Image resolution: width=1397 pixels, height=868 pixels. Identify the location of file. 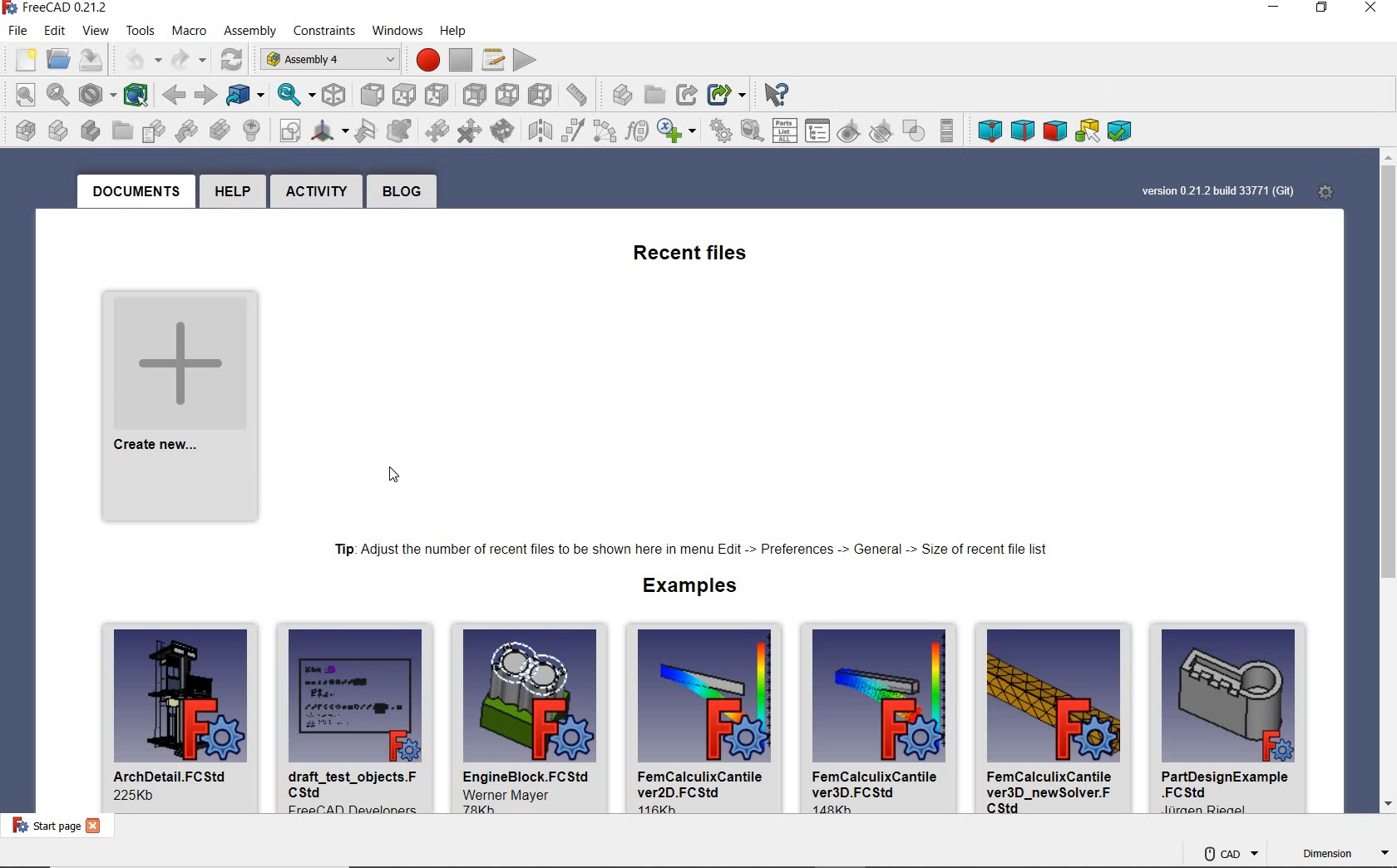
(21, 33).